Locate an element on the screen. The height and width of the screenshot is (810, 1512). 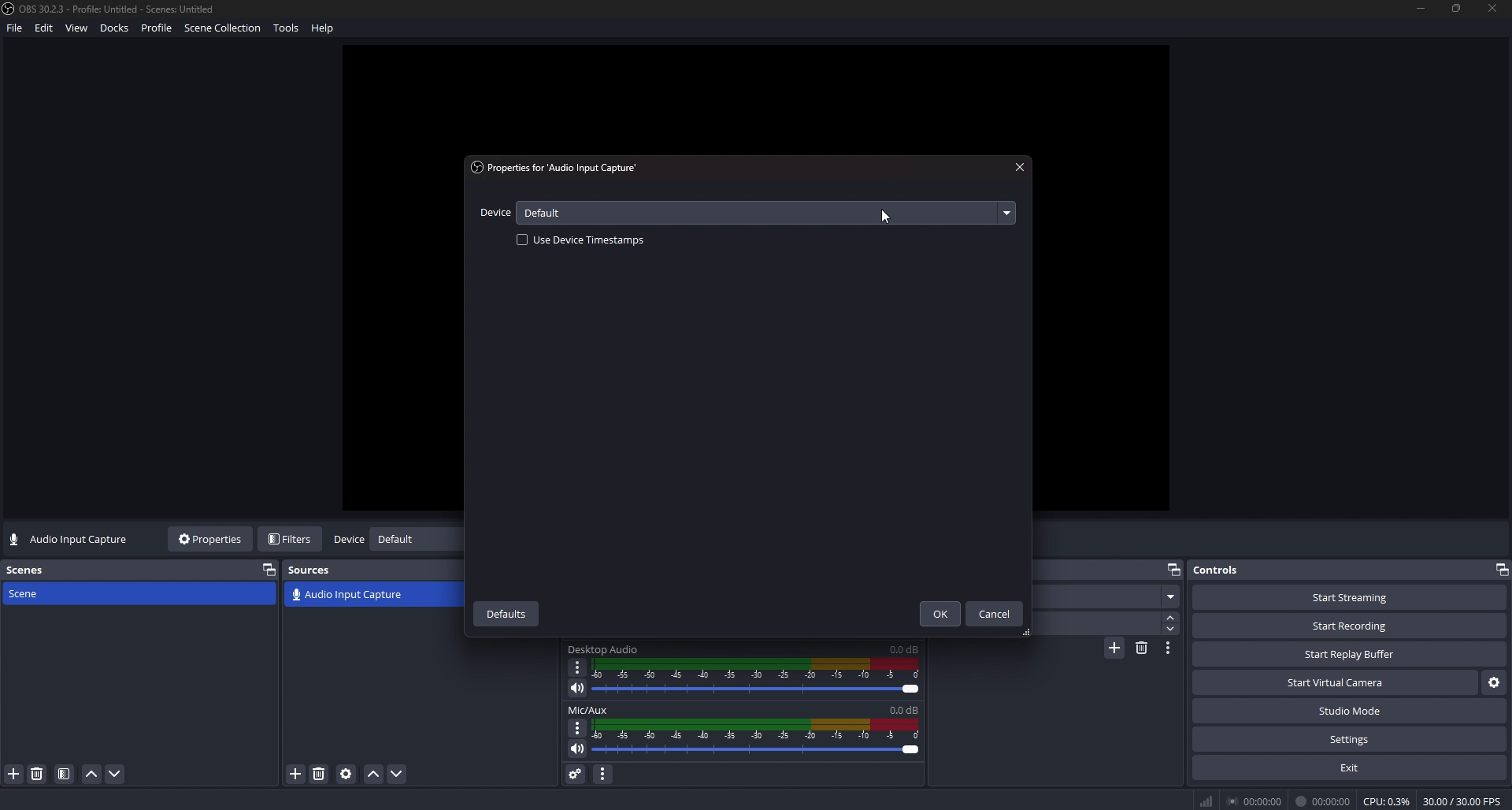
mic/aux is located at coordinates (598, 709).